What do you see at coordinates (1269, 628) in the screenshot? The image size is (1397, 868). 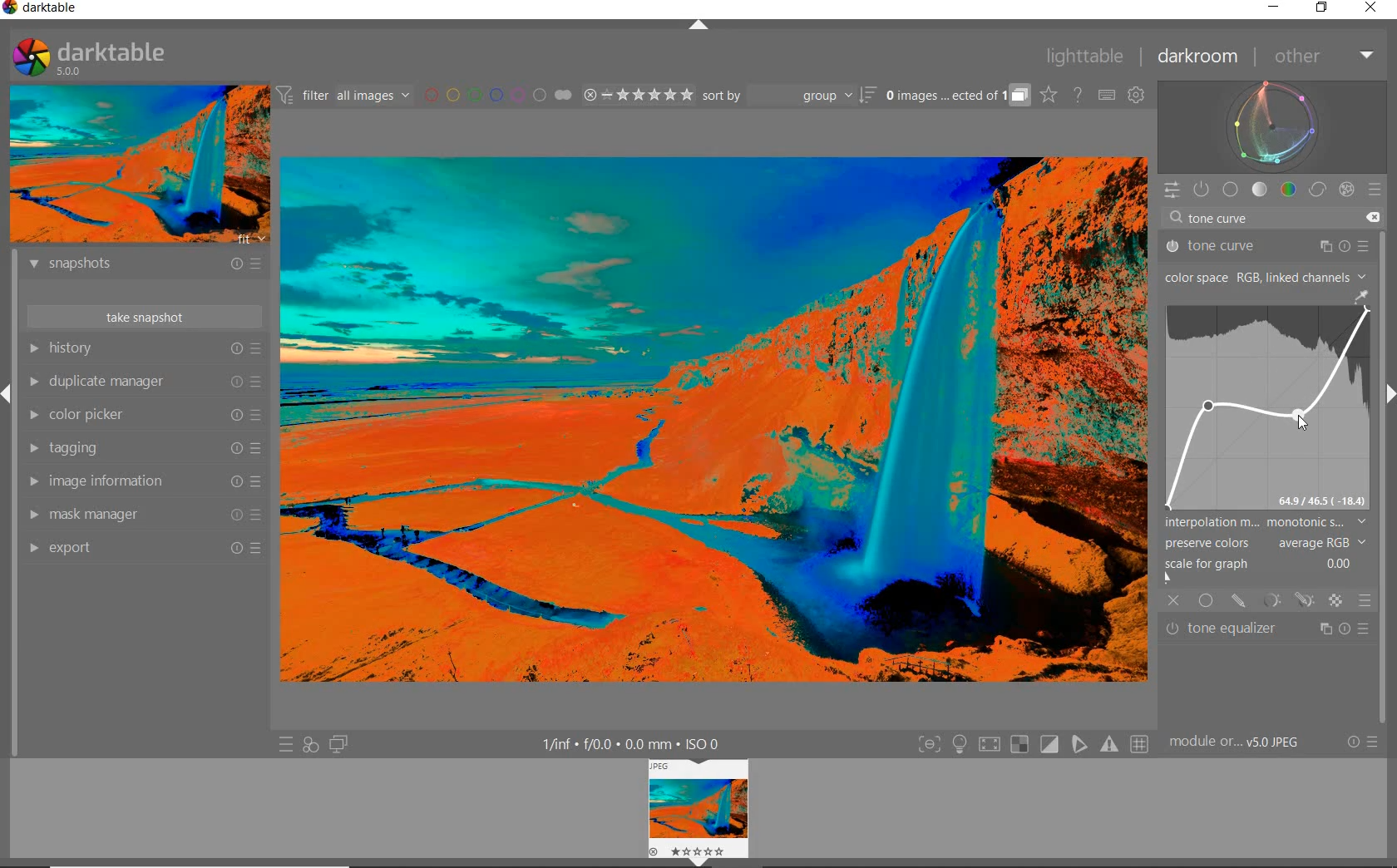 I see `tone equalizer` at bounding box center [1269, 628].